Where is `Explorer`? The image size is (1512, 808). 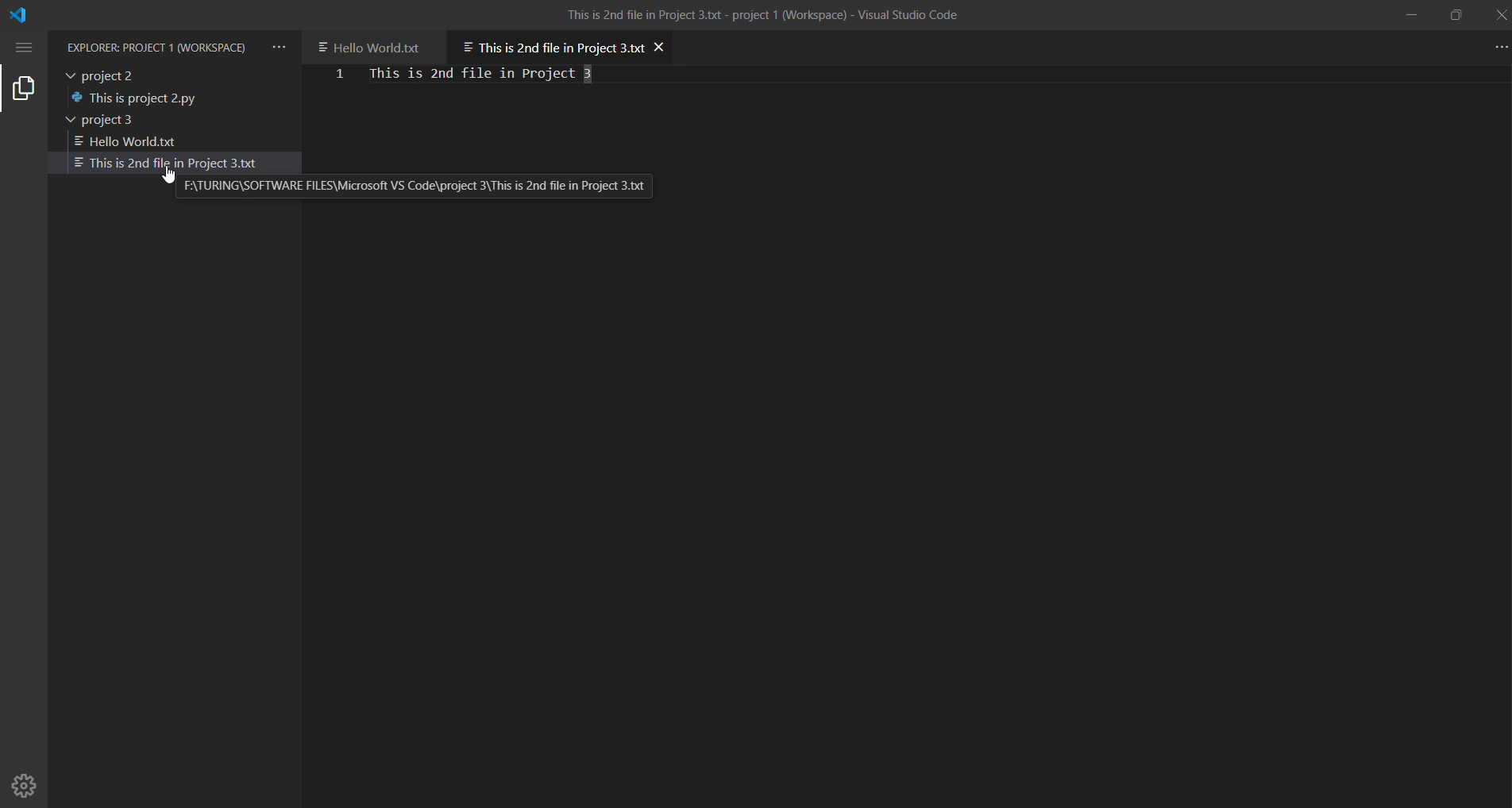 Explorer is located at coordinates (158, 48).